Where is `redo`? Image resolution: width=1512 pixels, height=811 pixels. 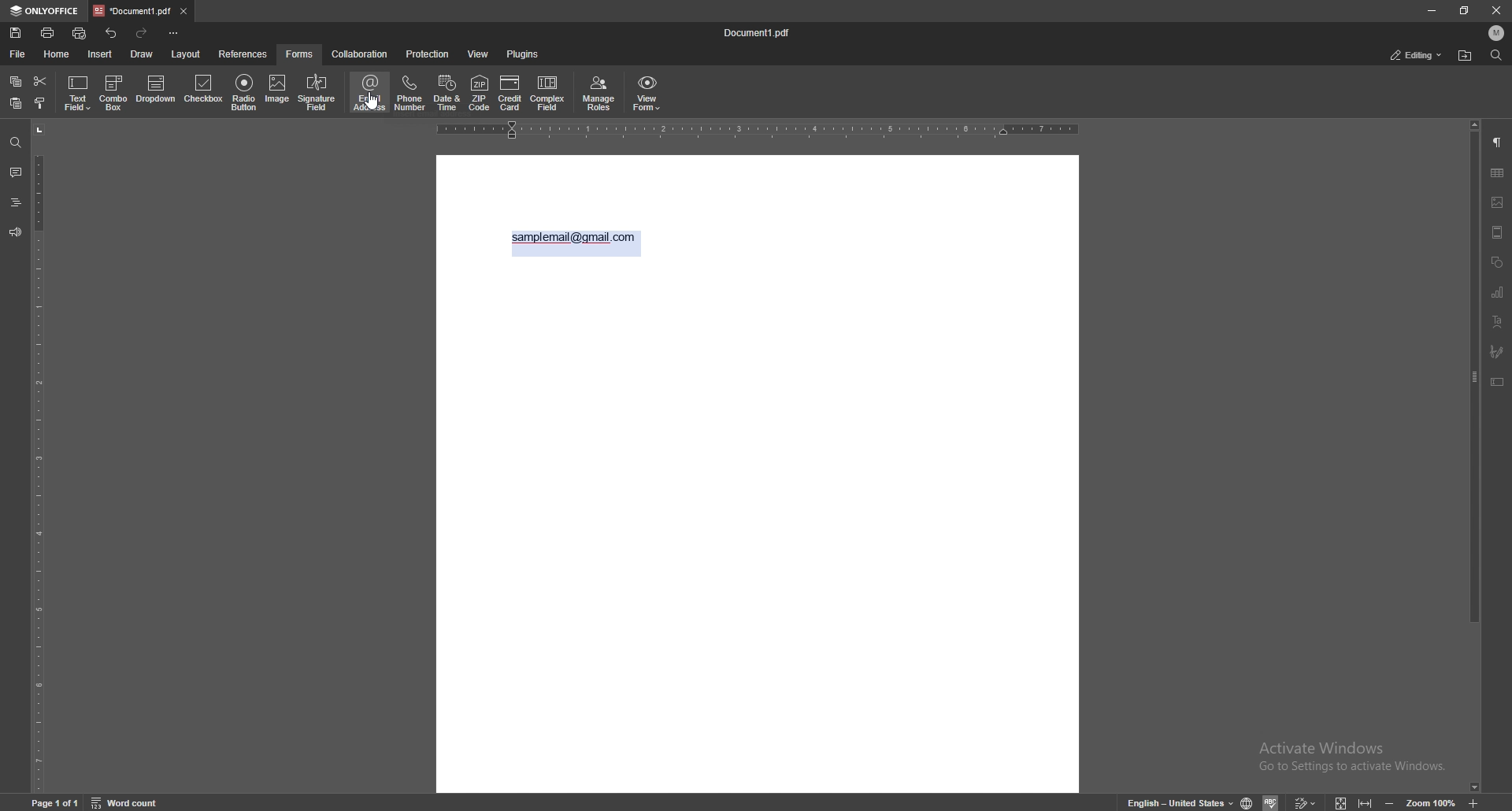 redo is located at coordinates (144, 33).